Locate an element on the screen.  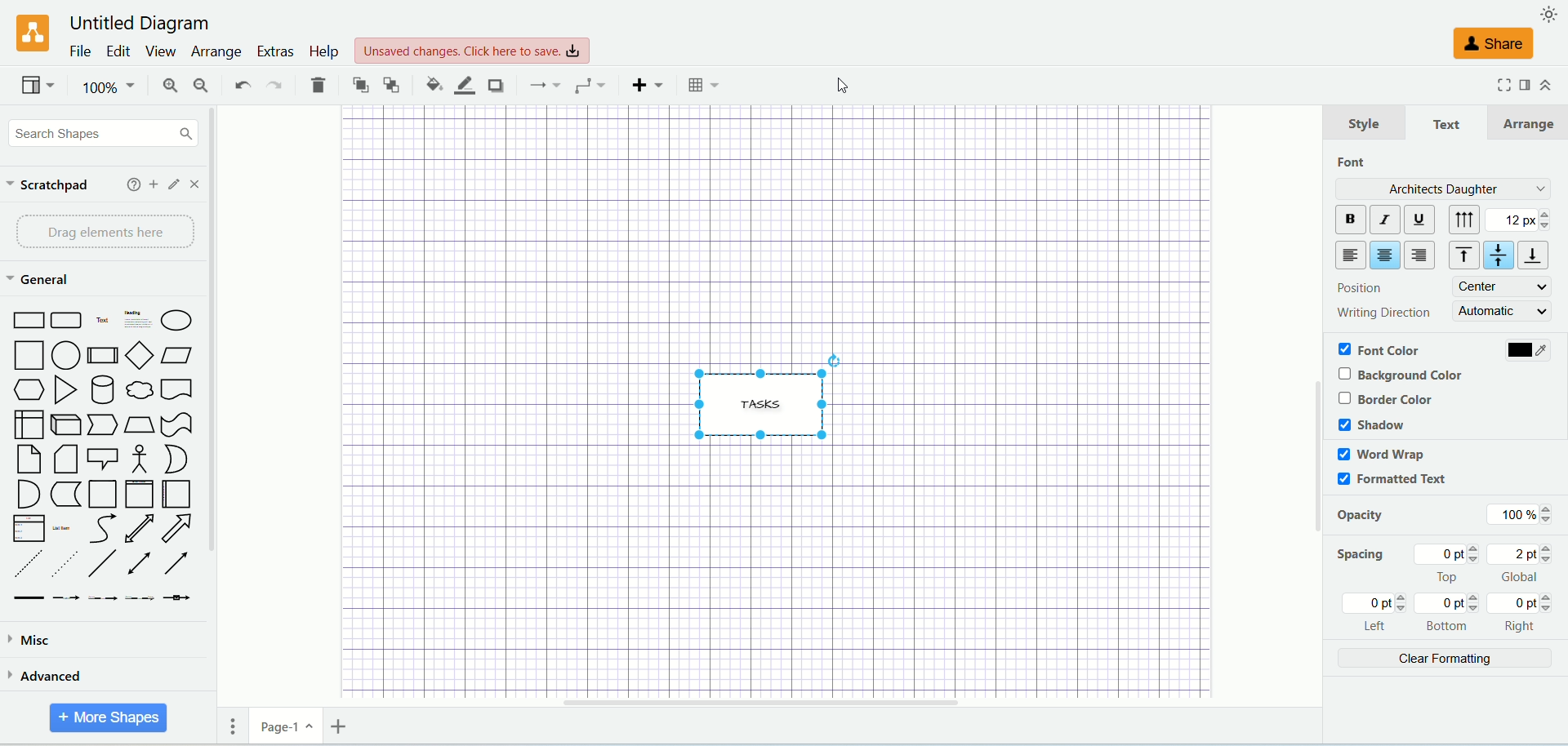
Parallelogram is located at coordinates (178, 356).